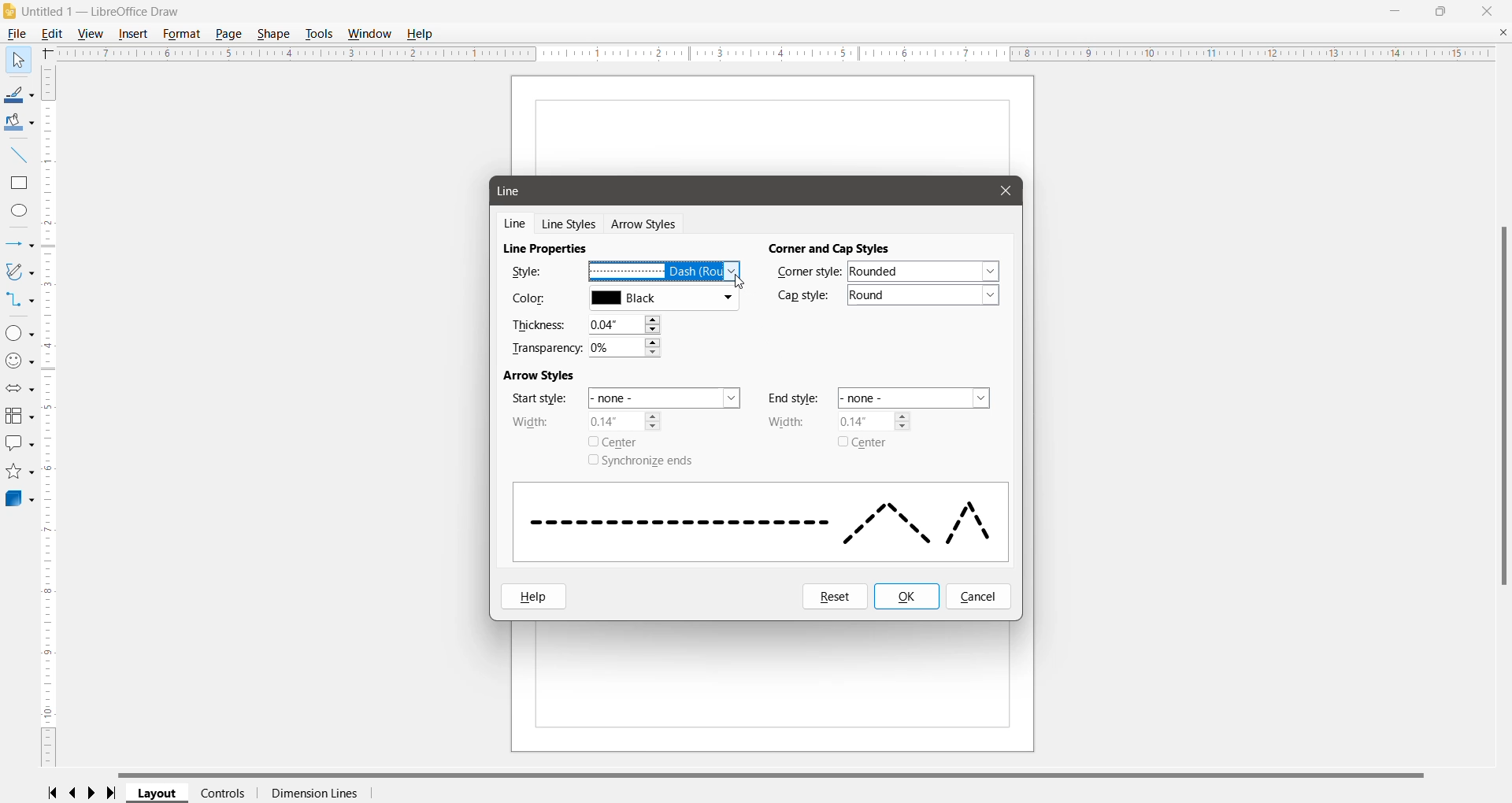 The width and height of the screenshot is (1512, 803). What do you see at coordinates (541, 374) in the screenshot?
I see `Arrow Styles` at bounding box center [541, 374].